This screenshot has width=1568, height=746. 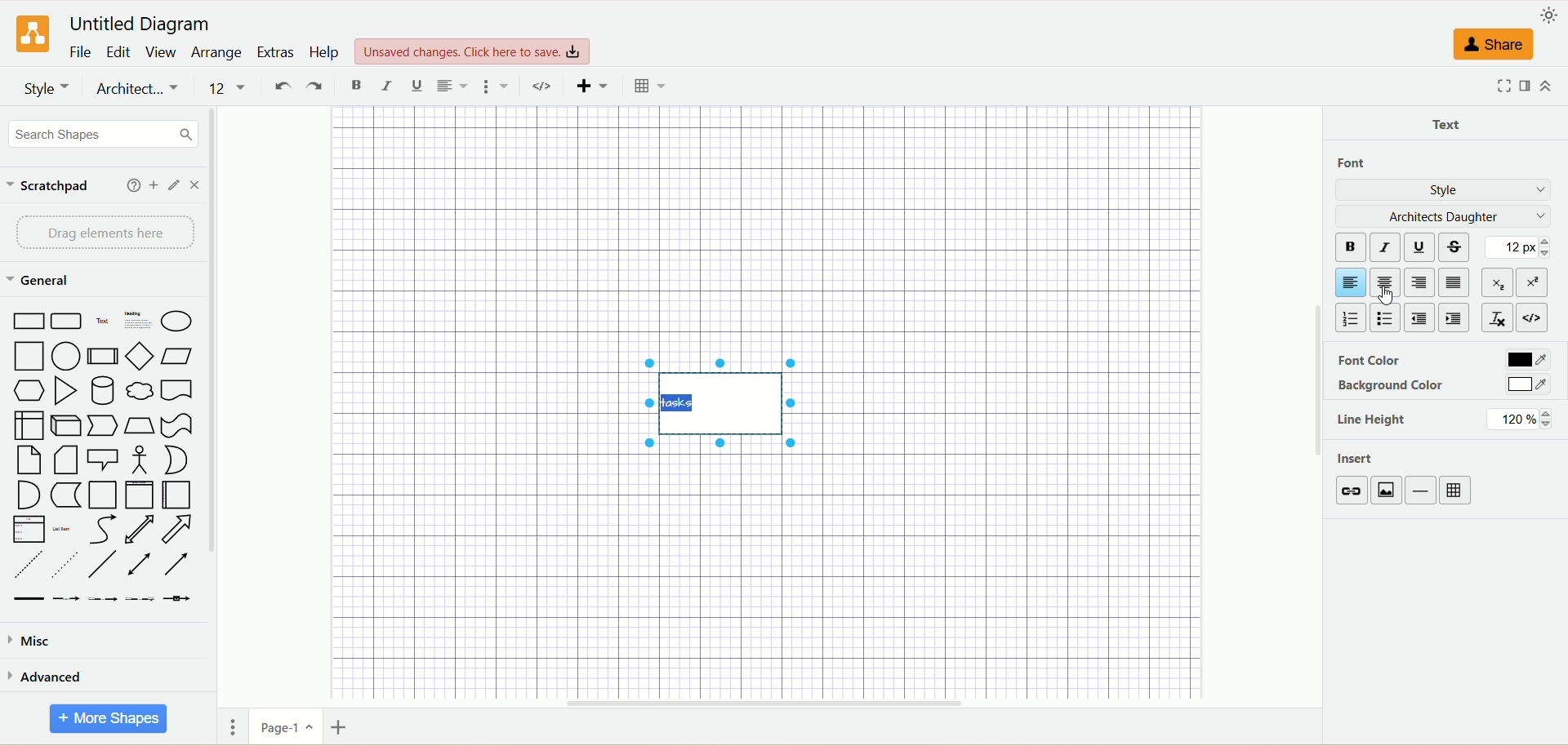 What do you see at coordinates (1317, 406) in the screenshot?
I see `vertical scroll bar` at bounding box center [1317, 406].